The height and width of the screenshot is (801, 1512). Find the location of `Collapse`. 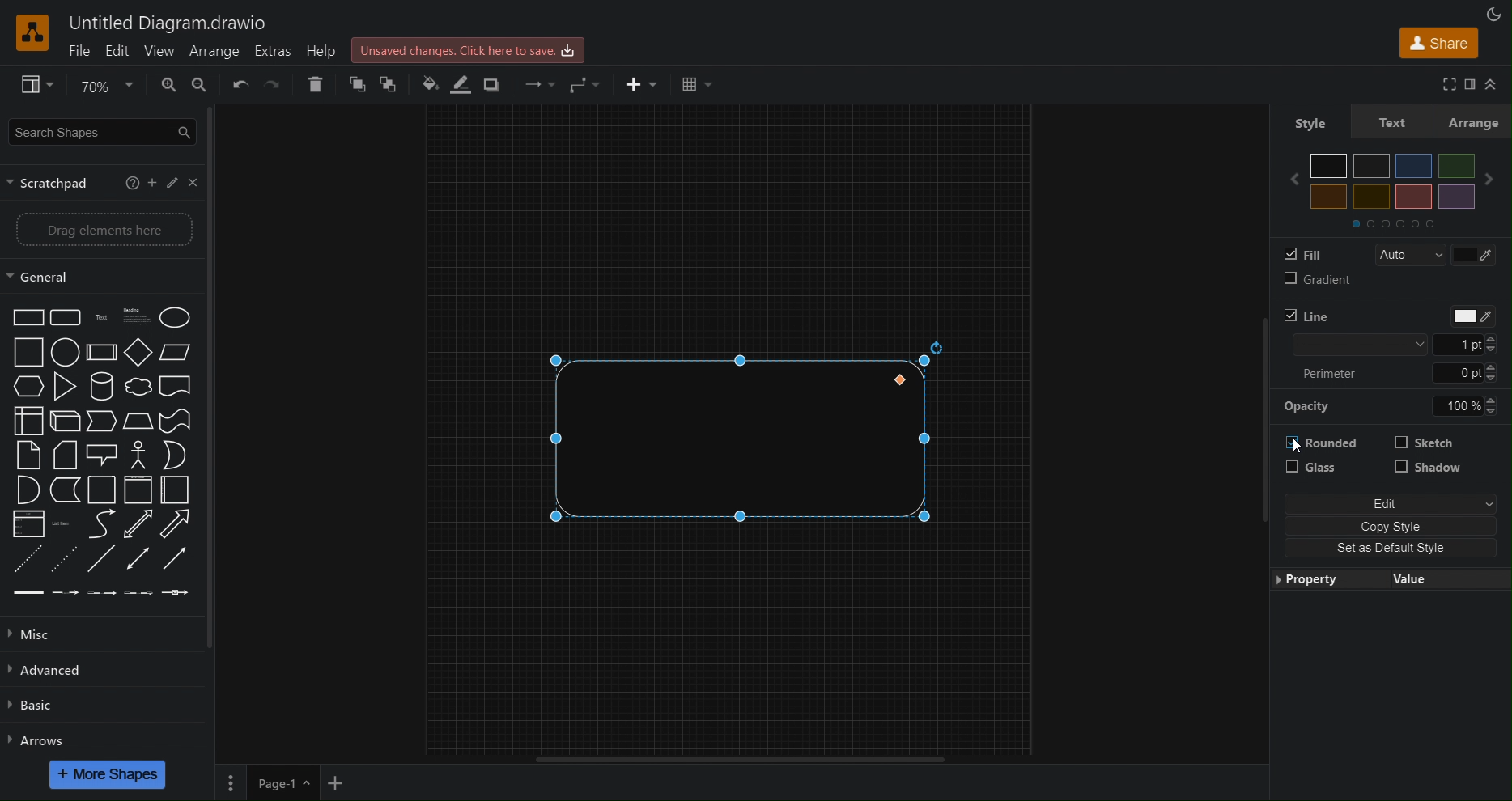

Collapse is located at coordinates (1495, 85).